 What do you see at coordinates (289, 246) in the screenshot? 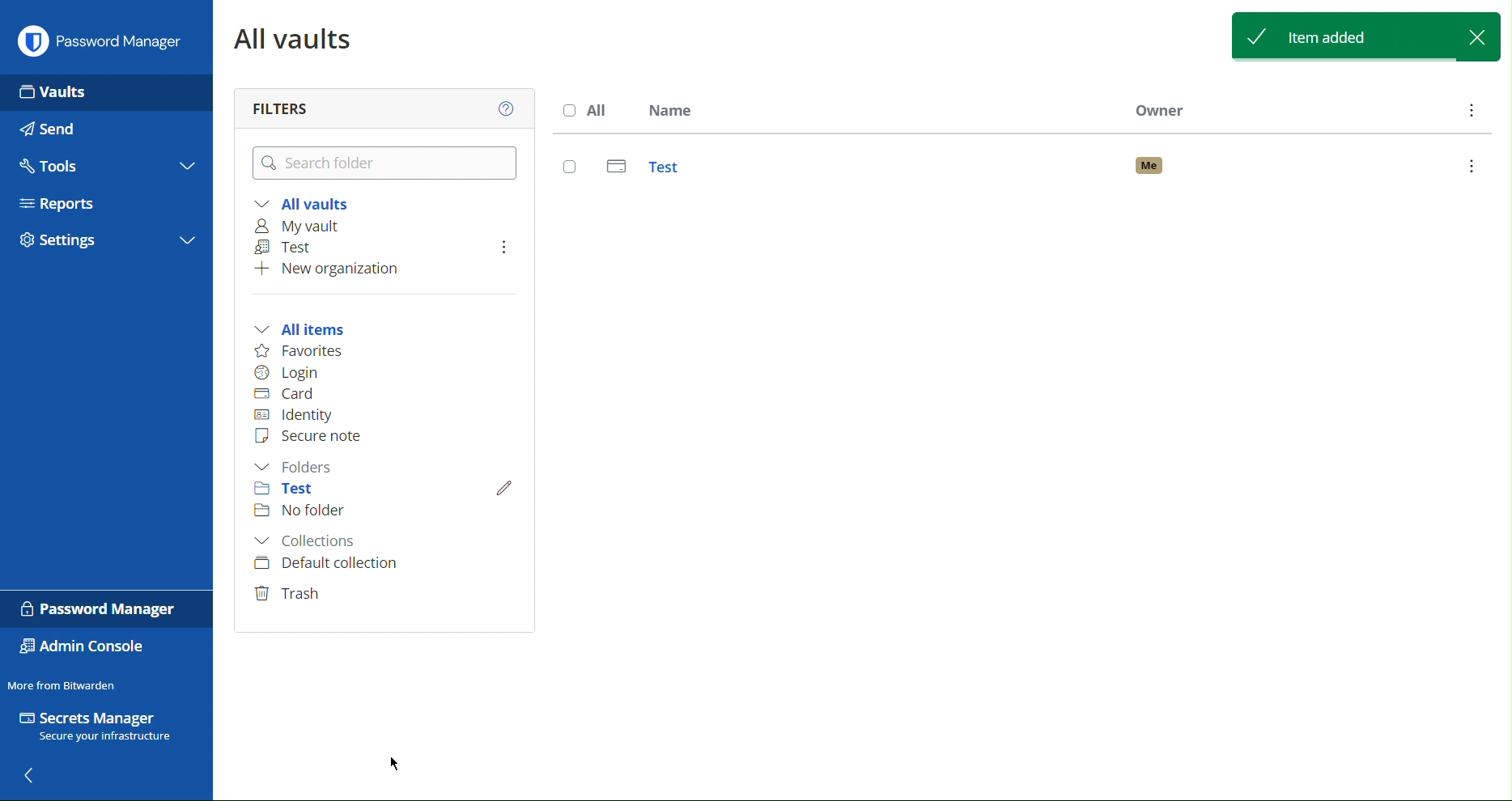
I see `Test` at bounding box center [289, 246].